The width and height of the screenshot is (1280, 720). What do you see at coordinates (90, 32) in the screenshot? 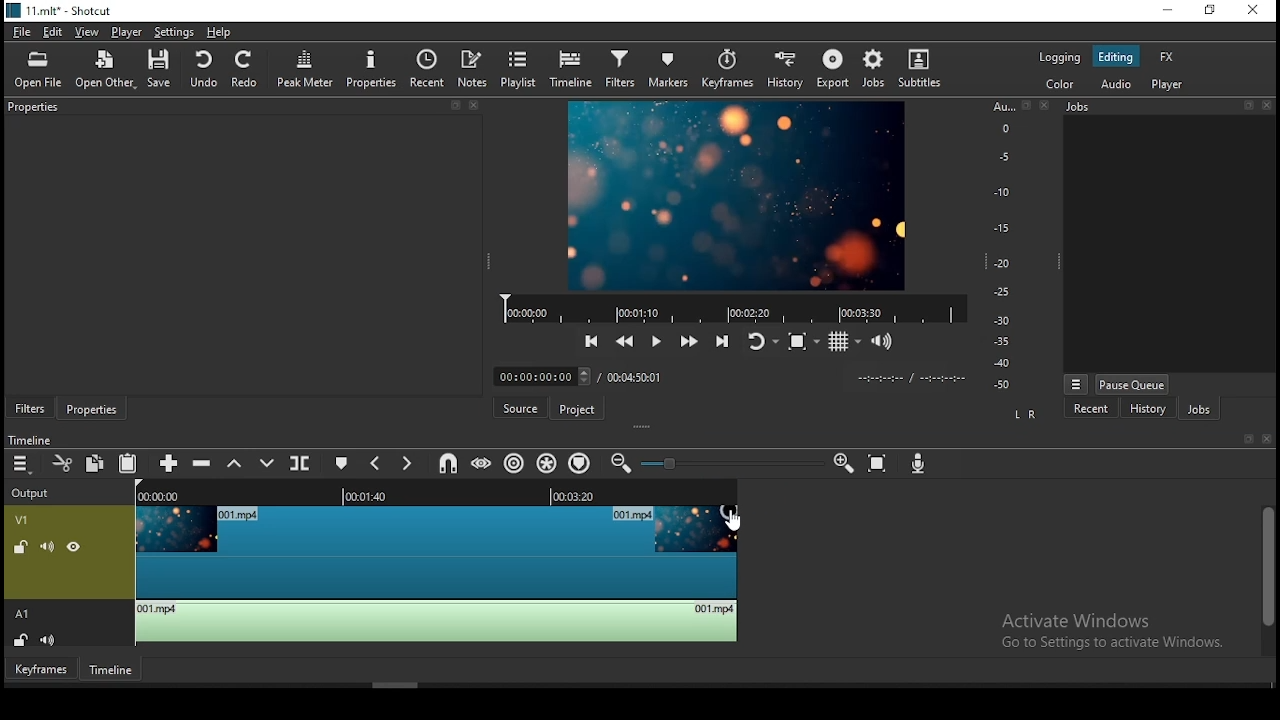
I see `view` at bounding box center [90, 32].